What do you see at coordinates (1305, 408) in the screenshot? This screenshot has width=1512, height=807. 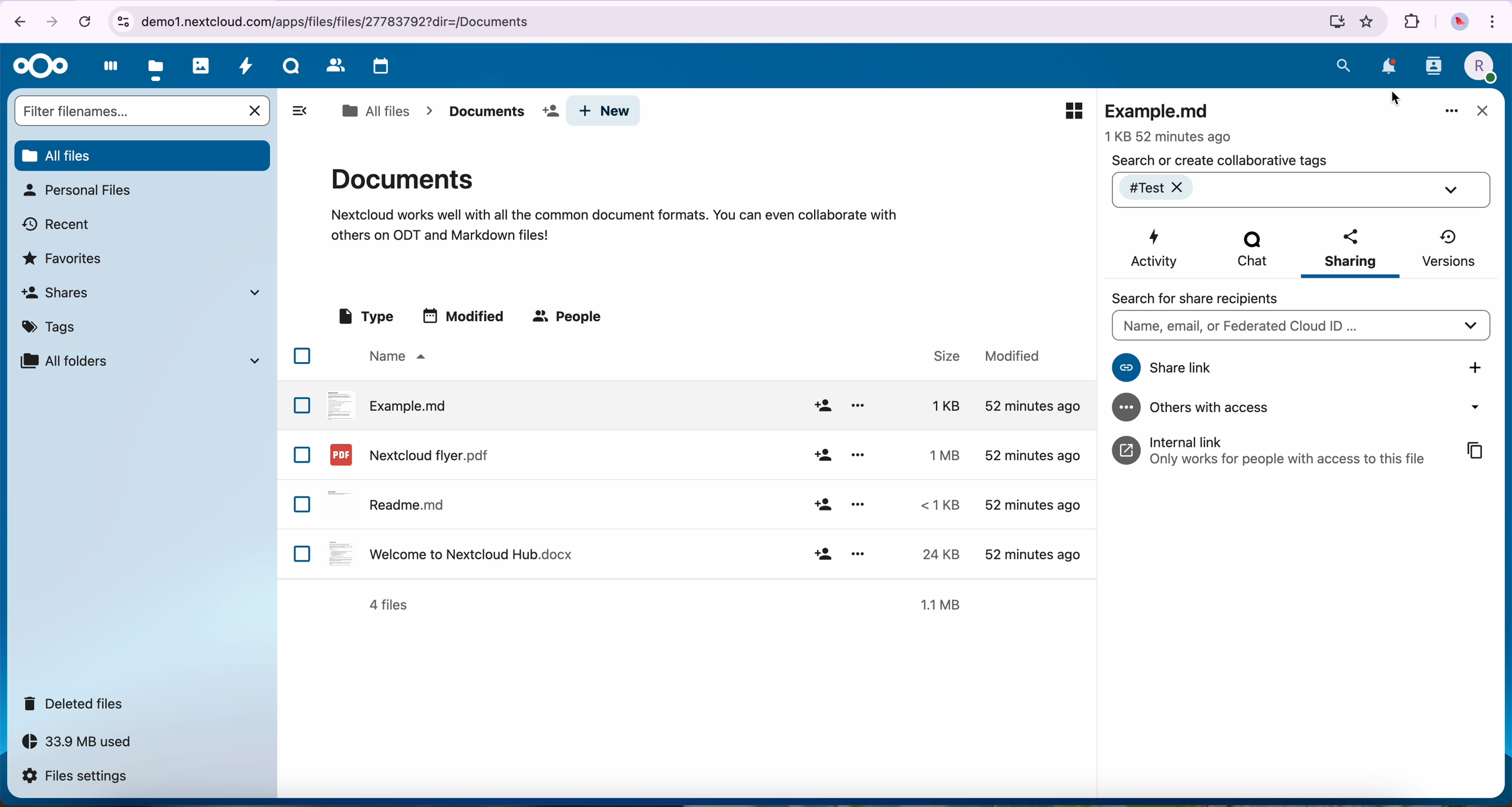 I see `others with acces` at bounding box center [1305, 408].